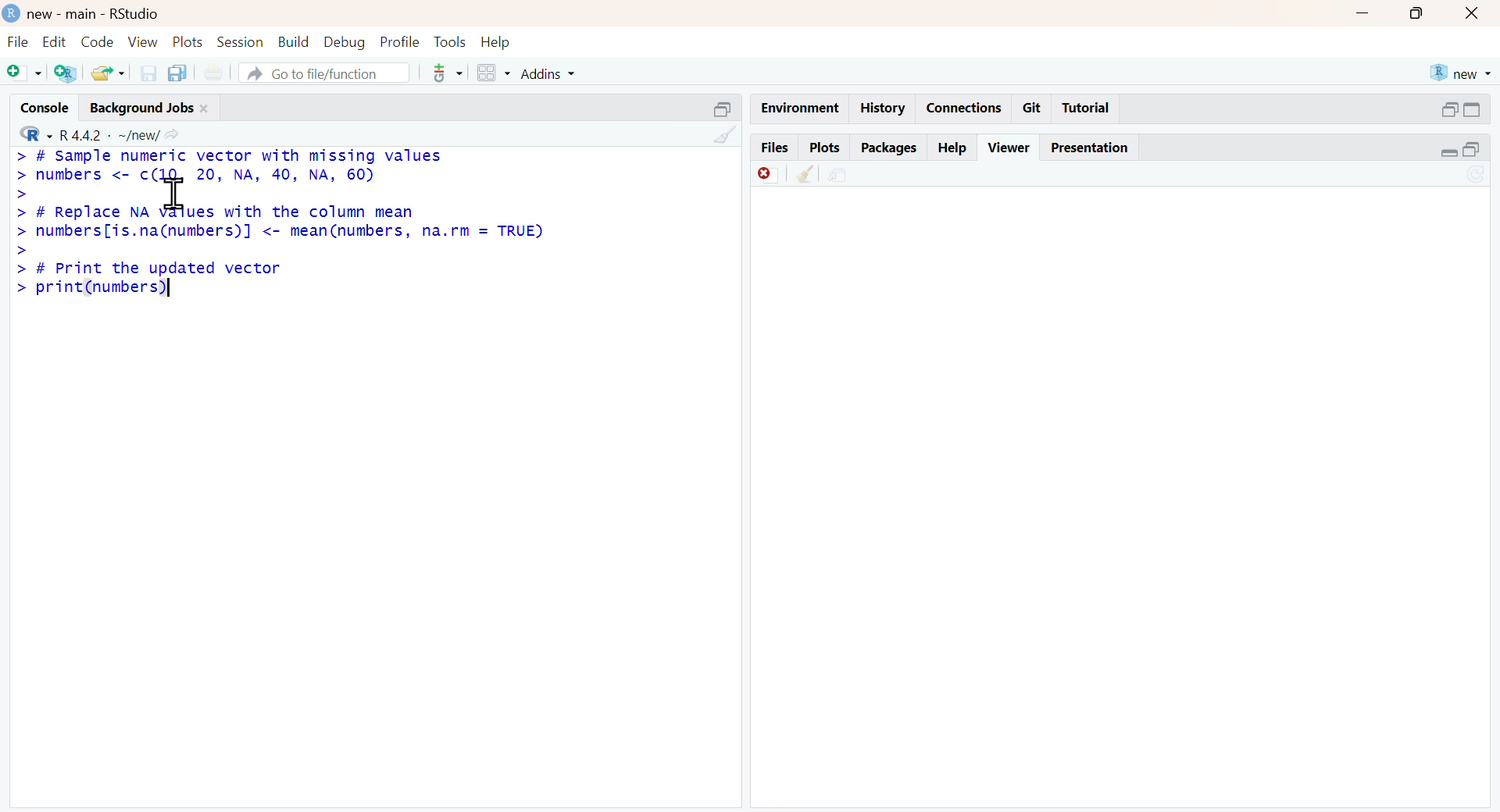 The height and width of the screenshot is (812, 1500). I want to click on go to file/function, so click(325, 73).